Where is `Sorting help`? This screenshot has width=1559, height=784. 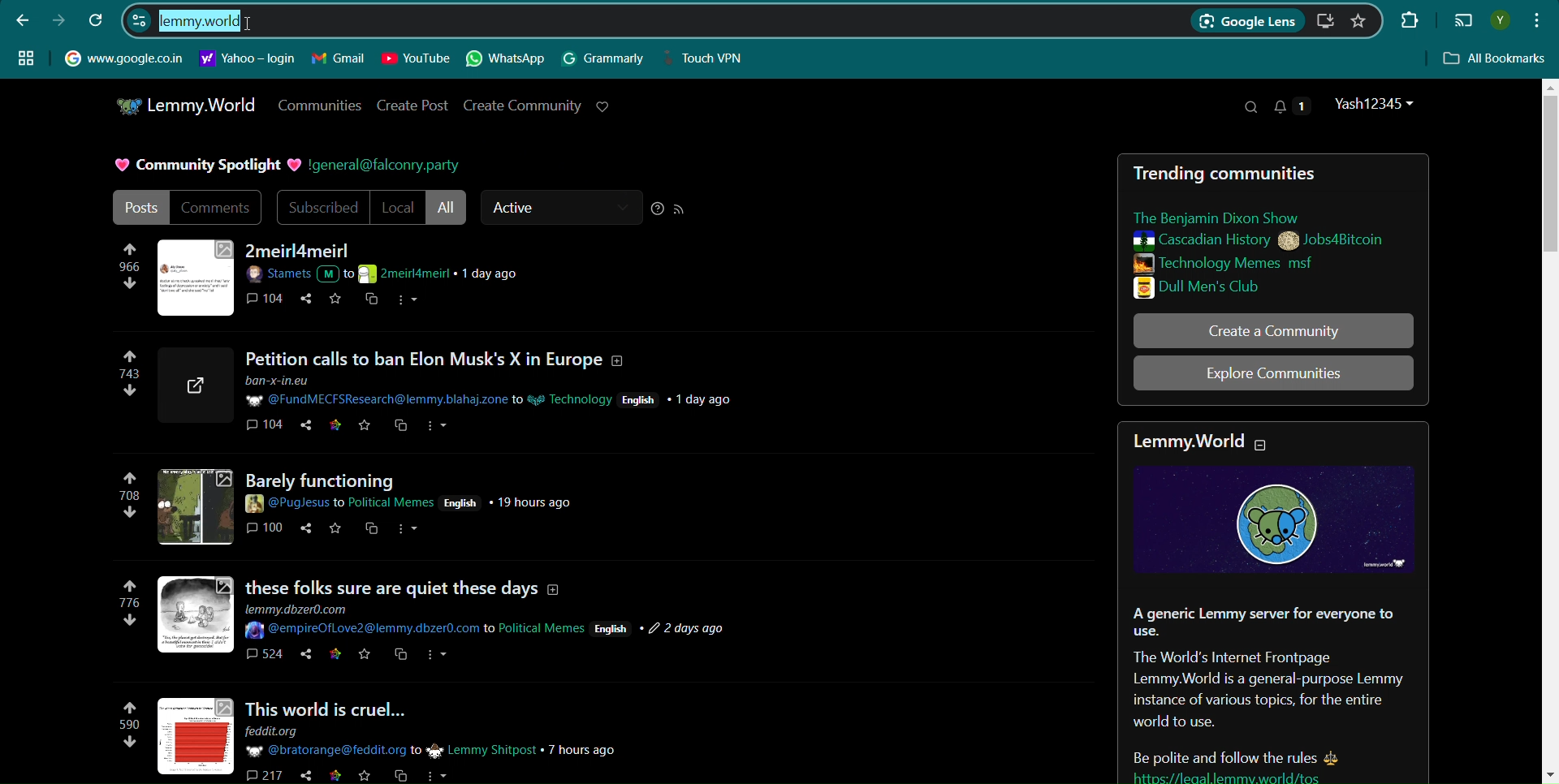 Sorting help is located at coordinates (658, 209).